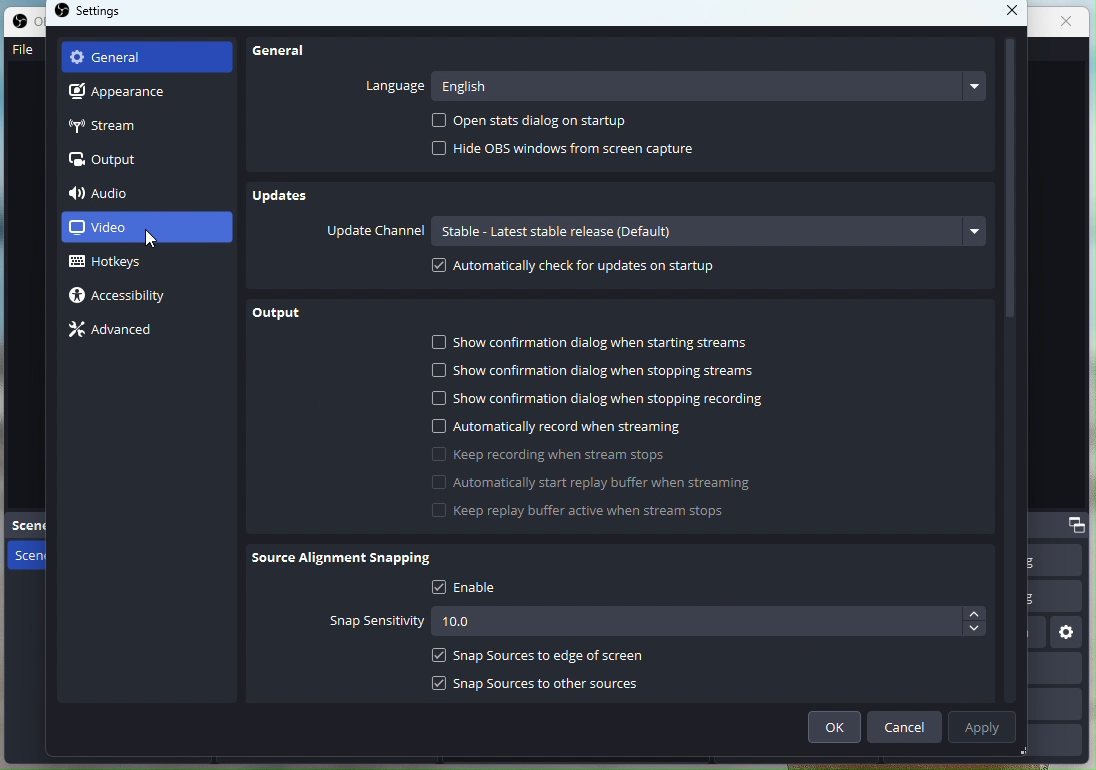 The height and width of the screenshot is (770, 1096). Describe the element at coordinates (538, 685) in the screenshot. I see `Snap sources to other sources` at that location.